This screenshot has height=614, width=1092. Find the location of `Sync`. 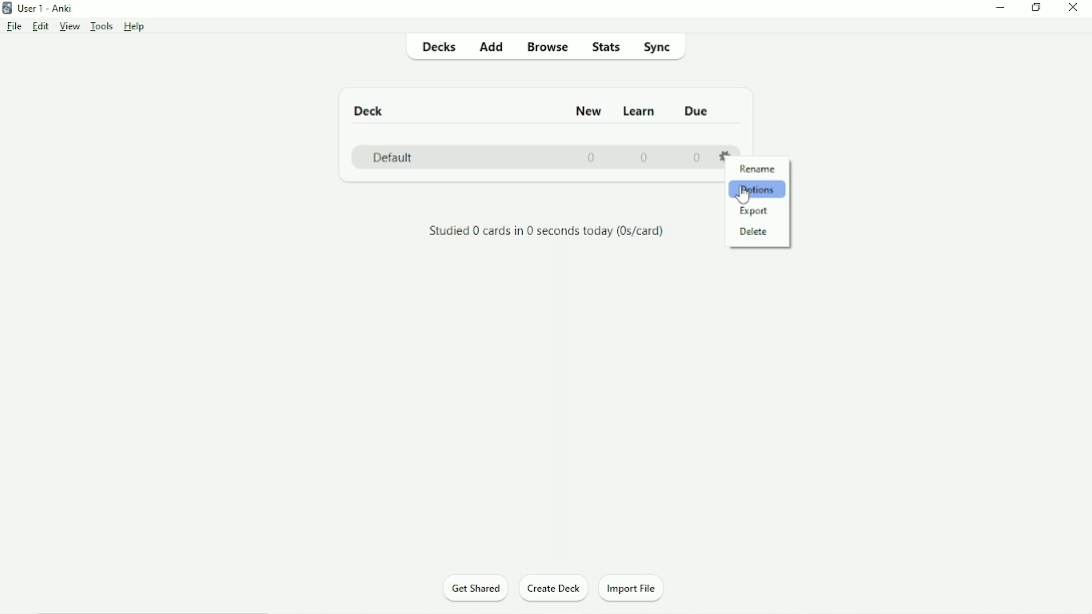

Sync is located at coordinates (666, 46).